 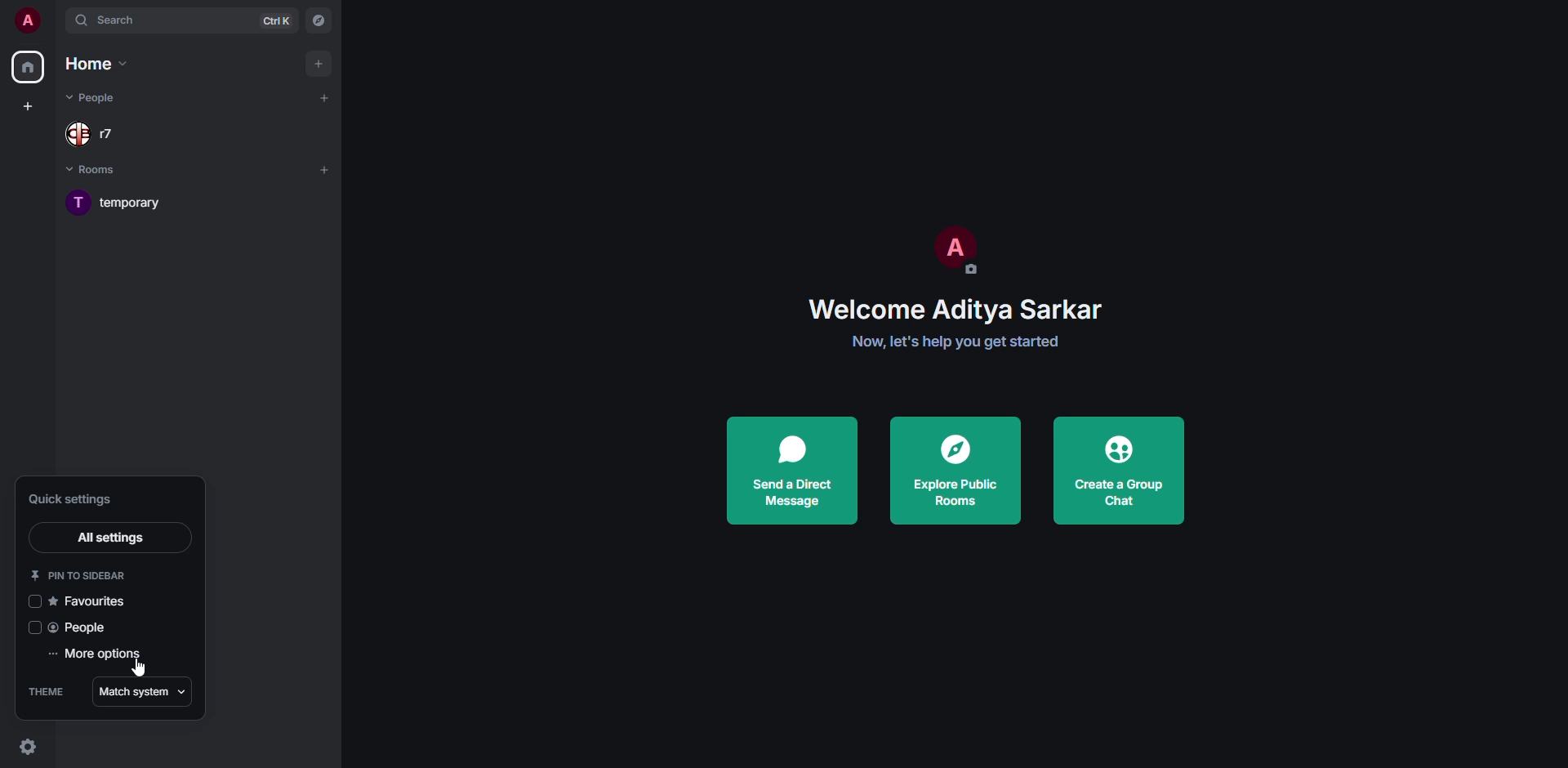 What do you see at coordinates (957, 470) in the screenshot?
I see `explore public rooms` at bounding box center [957, 470].